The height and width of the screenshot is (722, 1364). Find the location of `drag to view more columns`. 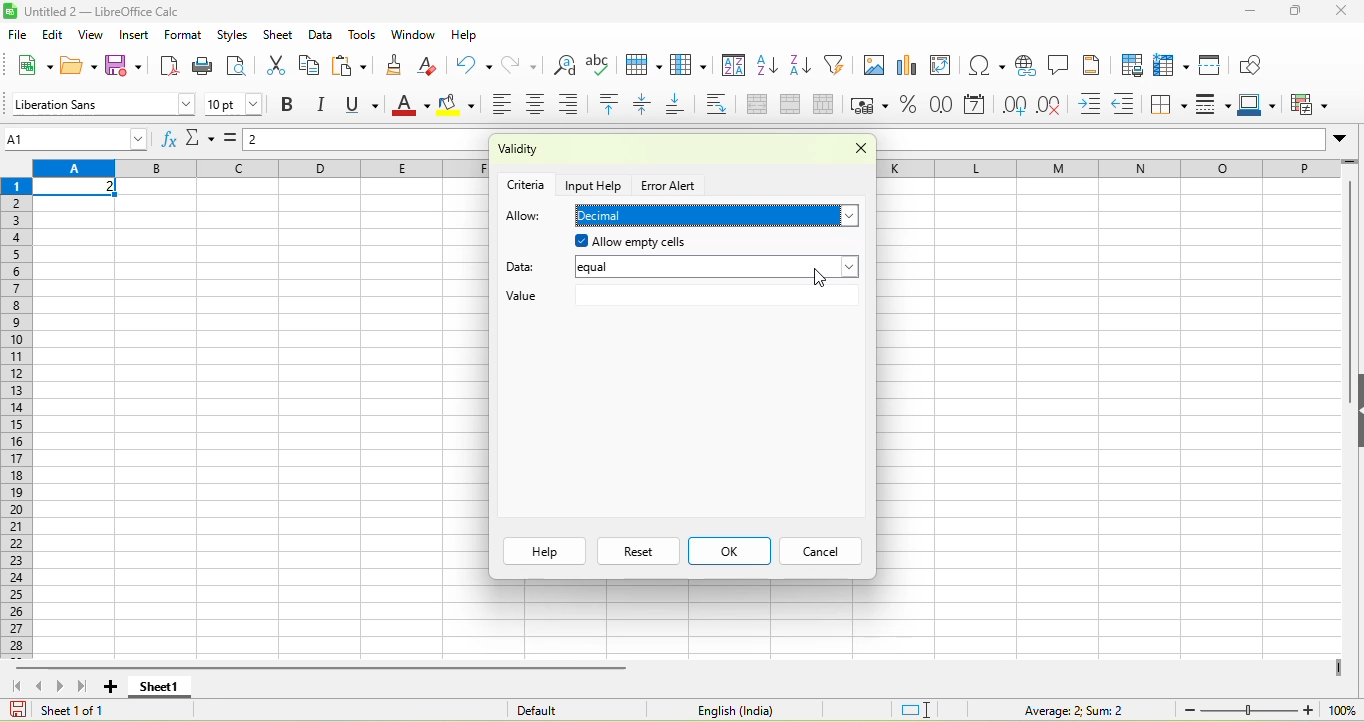

drag to view more columns is located at coordinates (1339, 668).